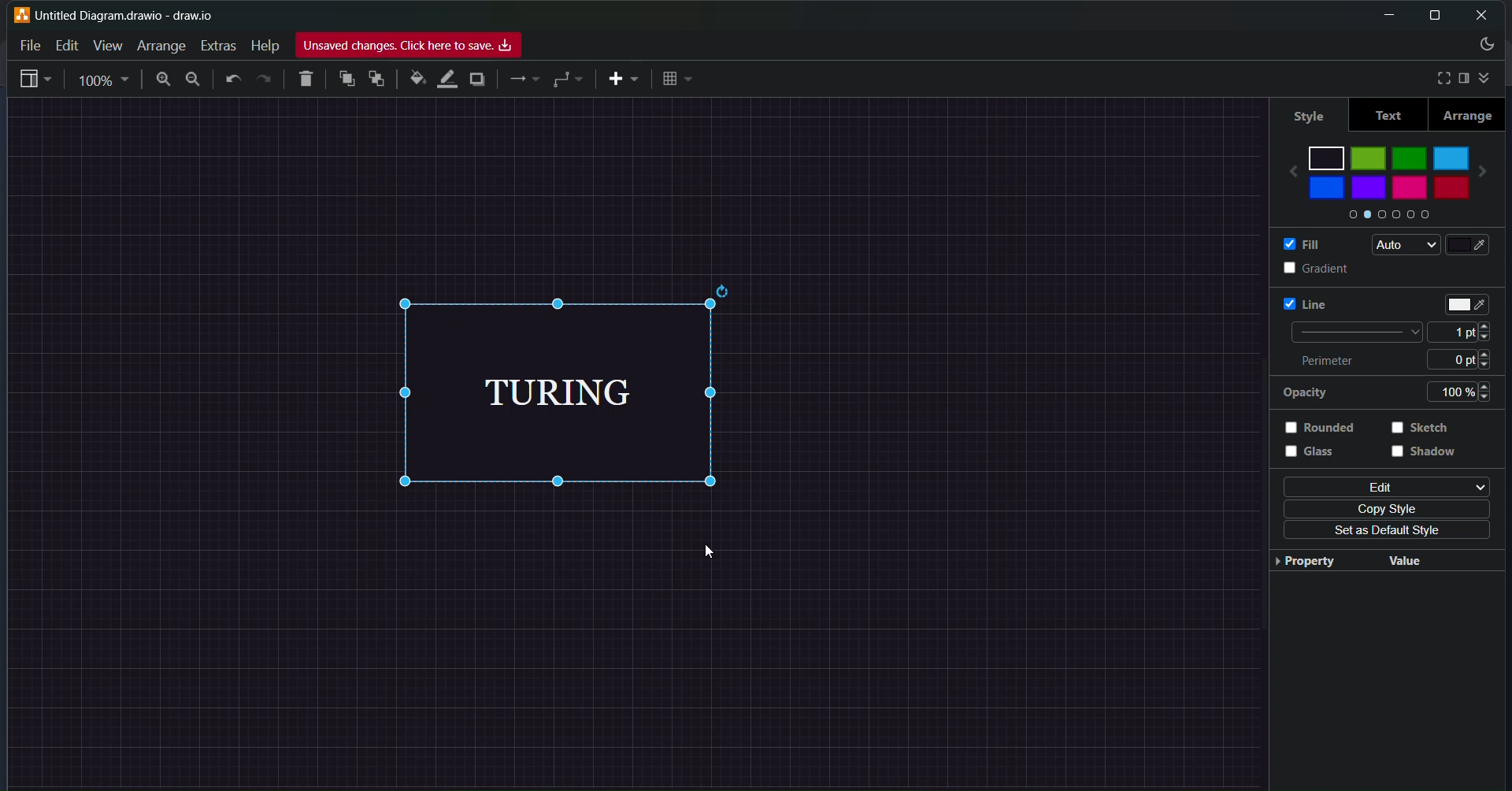 The width and height of the screenshot is (1512, 791). What do you see at coordinates (1452, 155) in the screenshot?
I see `light blue` at bounding box center [1452, 155].